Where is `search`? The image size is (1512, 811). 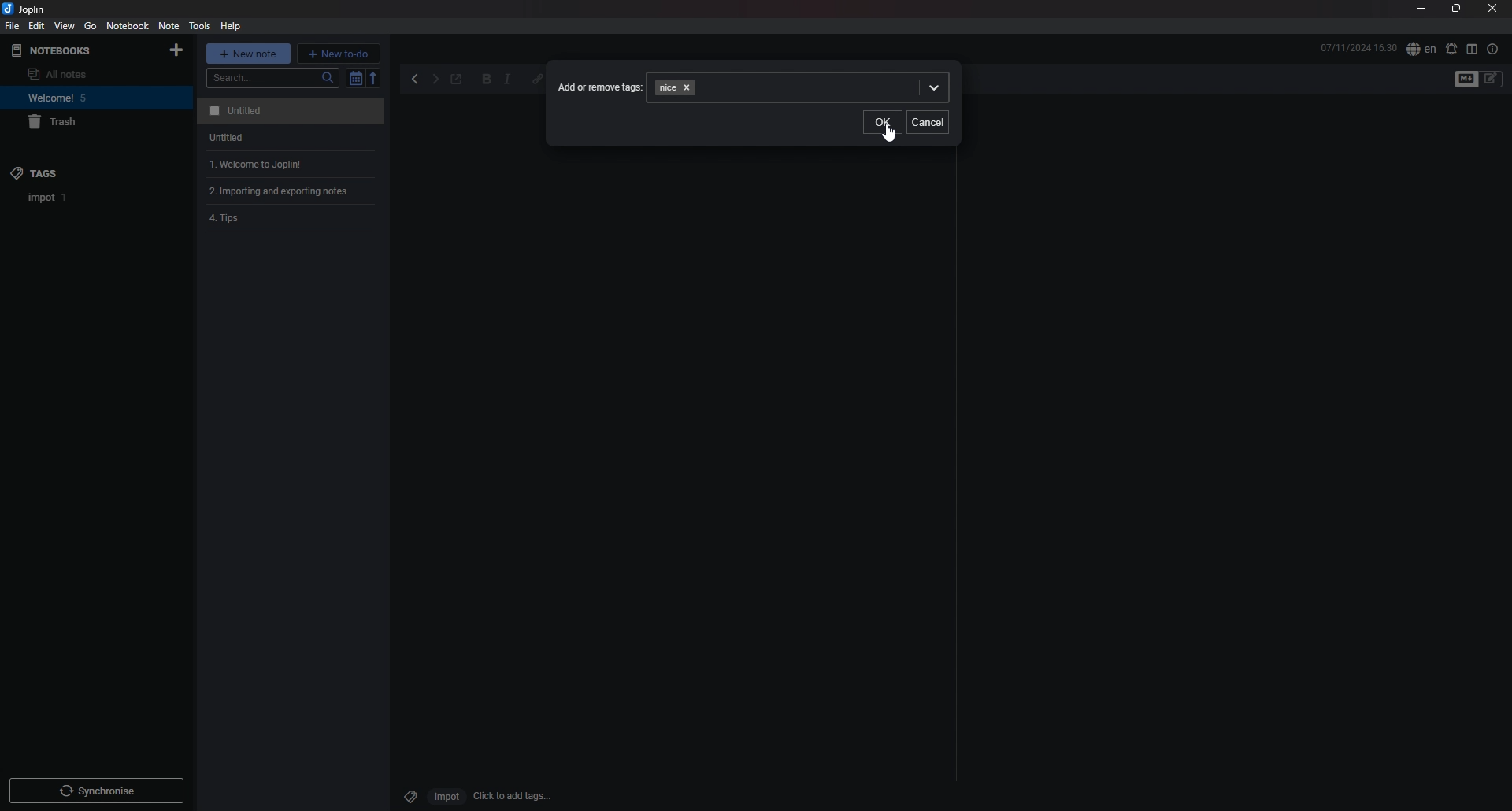
search is located at coordinates (273, 78).